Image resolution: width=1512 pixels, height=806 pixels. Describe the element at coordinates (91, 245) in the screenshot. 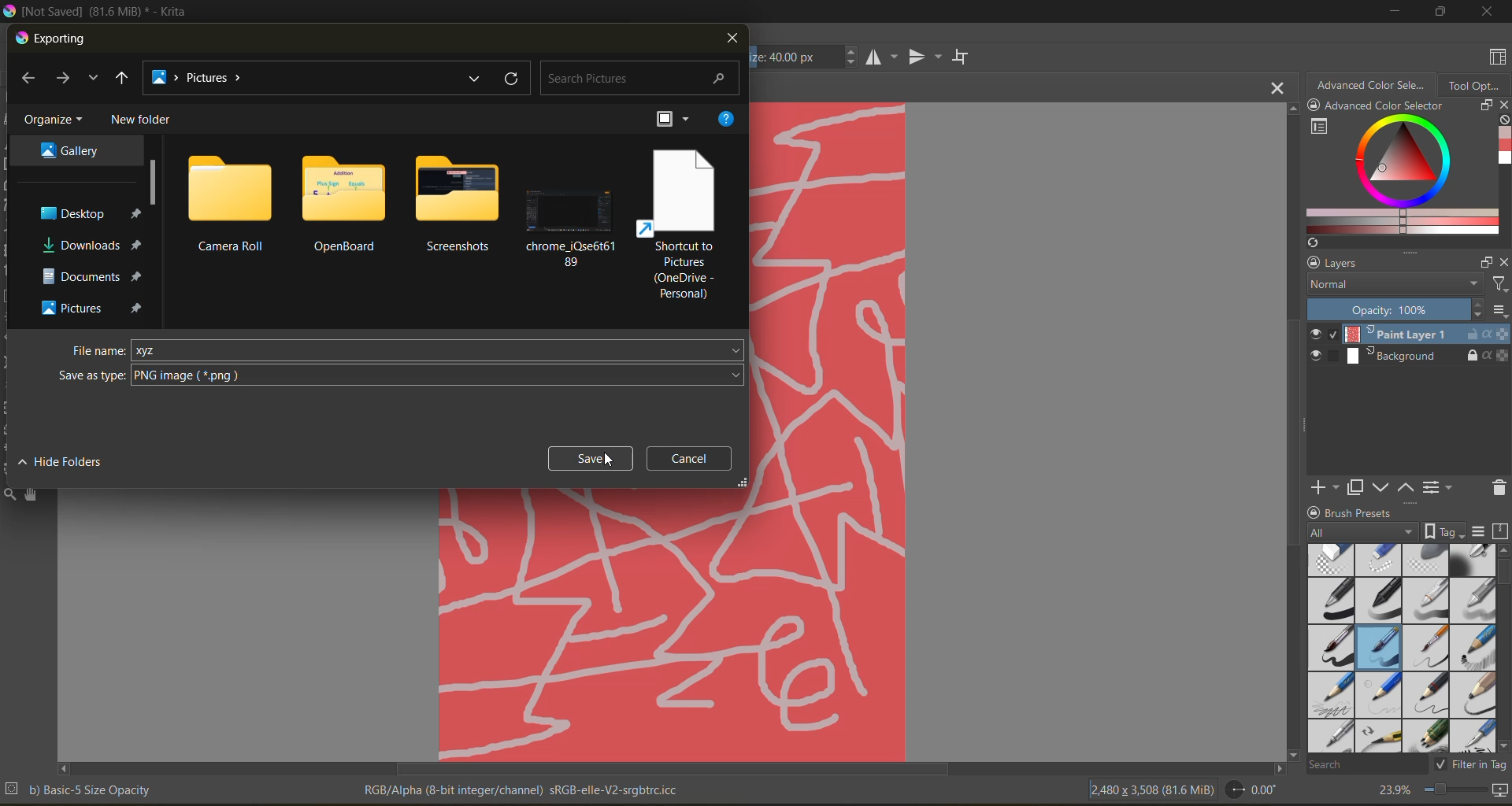

I see `folder destination` at that location.